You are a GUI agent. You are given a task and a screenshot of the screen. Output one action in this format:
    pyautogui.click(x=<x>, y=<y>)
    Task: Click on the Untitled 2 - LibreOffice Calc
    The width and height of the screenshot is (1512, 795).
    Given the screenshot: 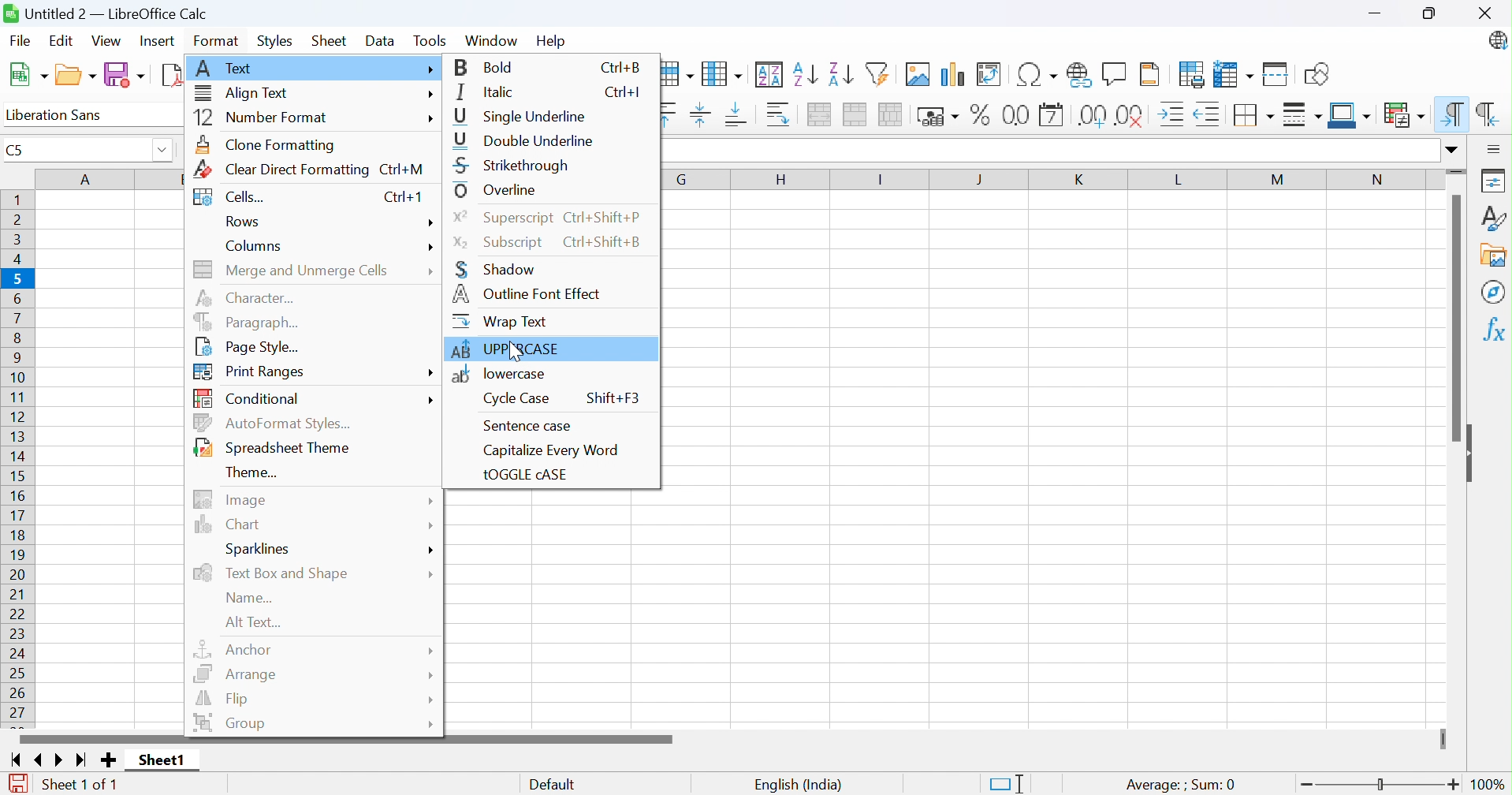 What is the action you would take?
    pyautogui.click(x=107, y=14)
    